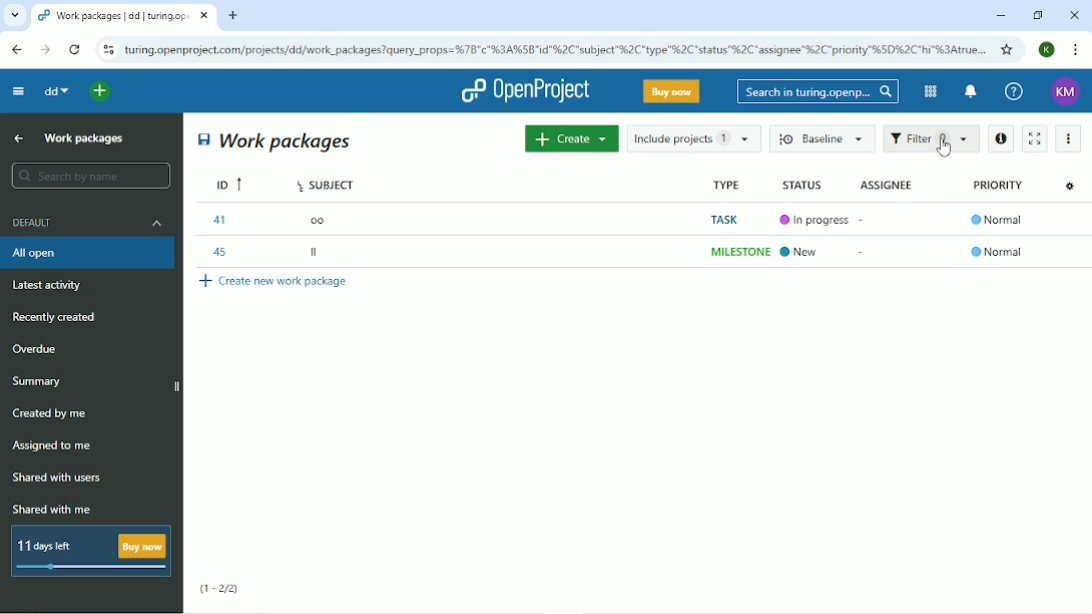 This screenshot has width=1092, height=614. I want to click on Default, so click(89, 222).